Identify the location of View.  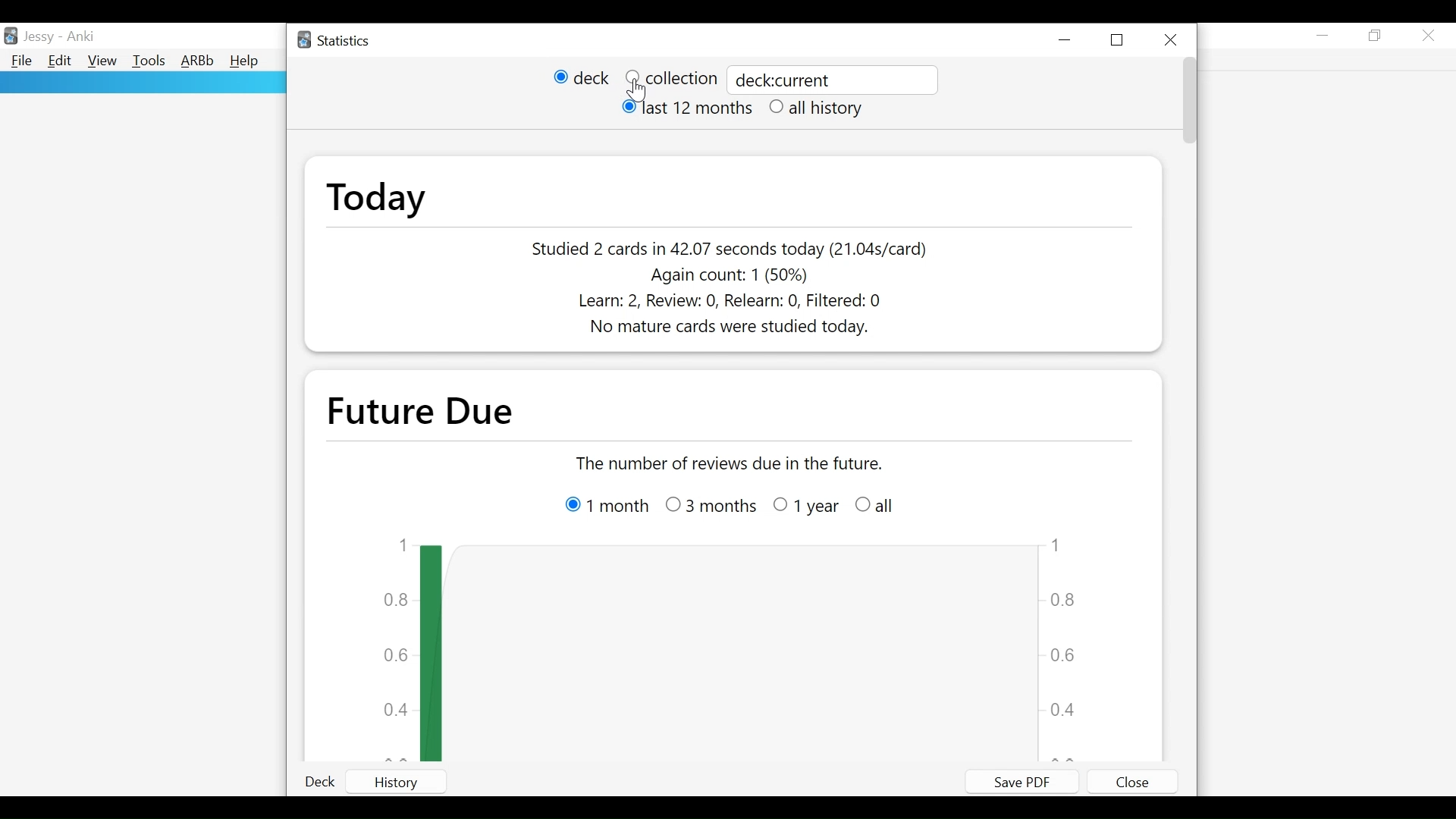
(102, 61).